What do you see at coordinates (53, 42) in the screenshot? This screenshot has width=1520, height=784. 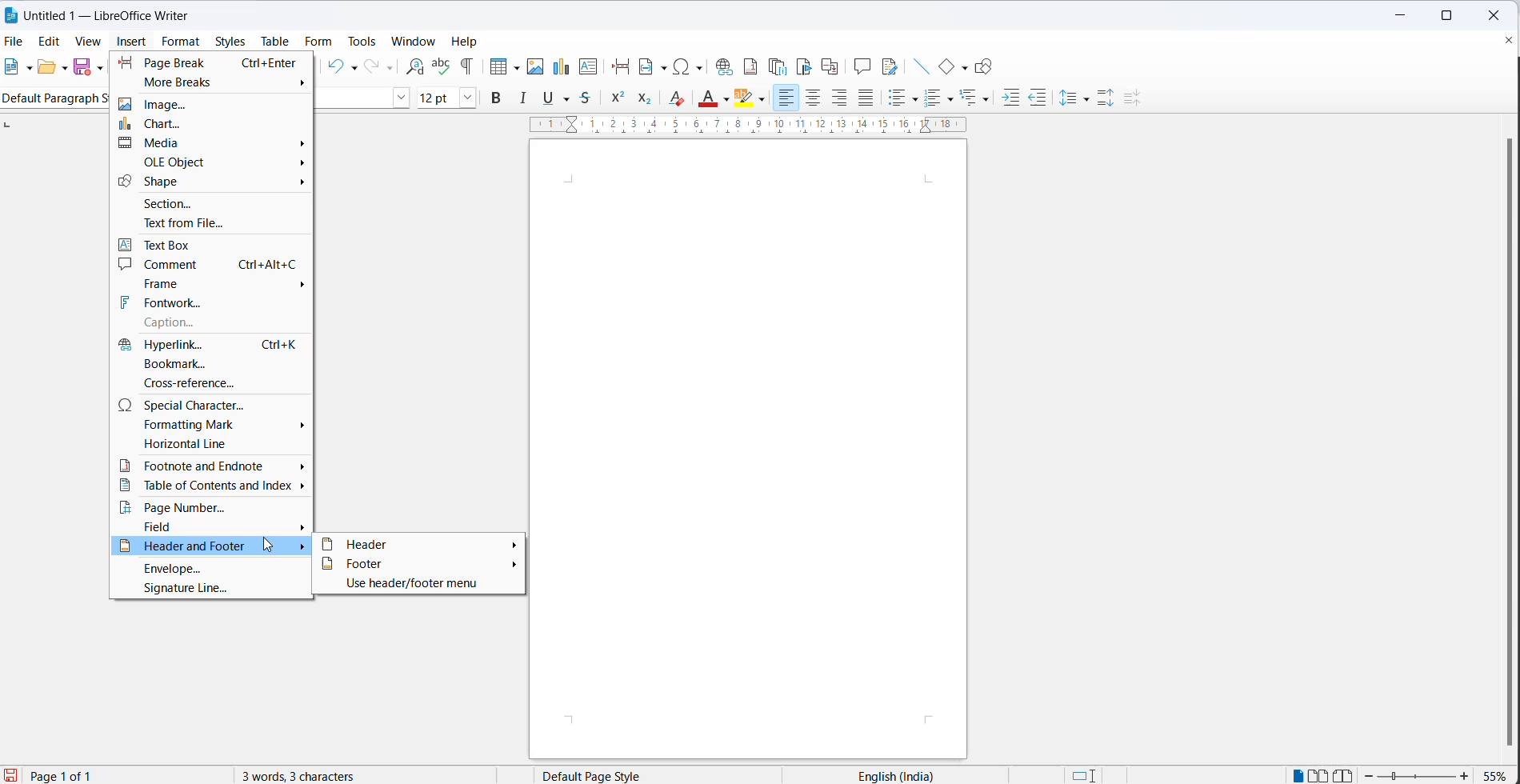 I see `edit` at bounding box center [53, 42].